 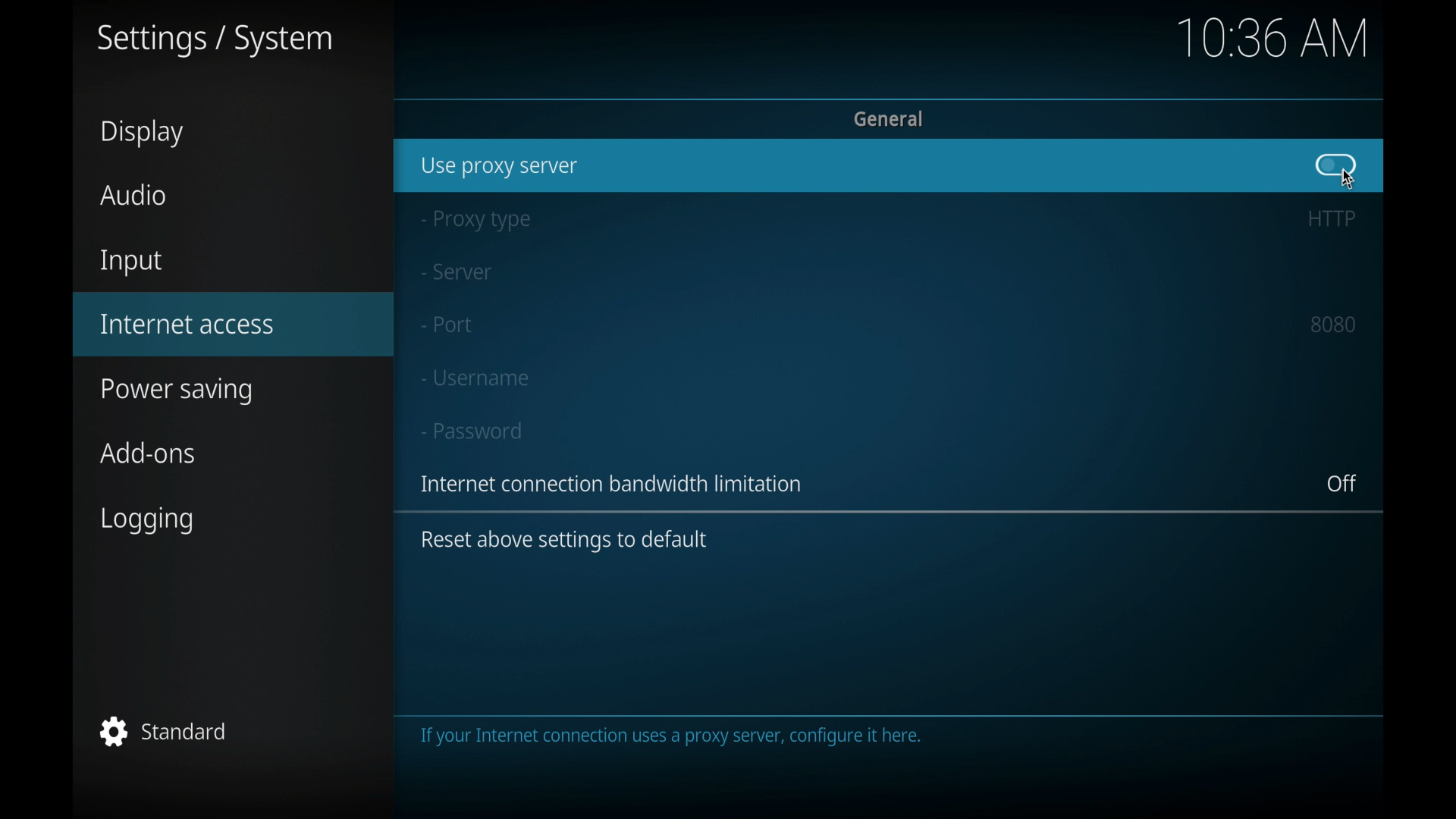 What do you see at coordinates (149, 521) in the screenshot?
I see `logging` at bounding box center [149, 521].